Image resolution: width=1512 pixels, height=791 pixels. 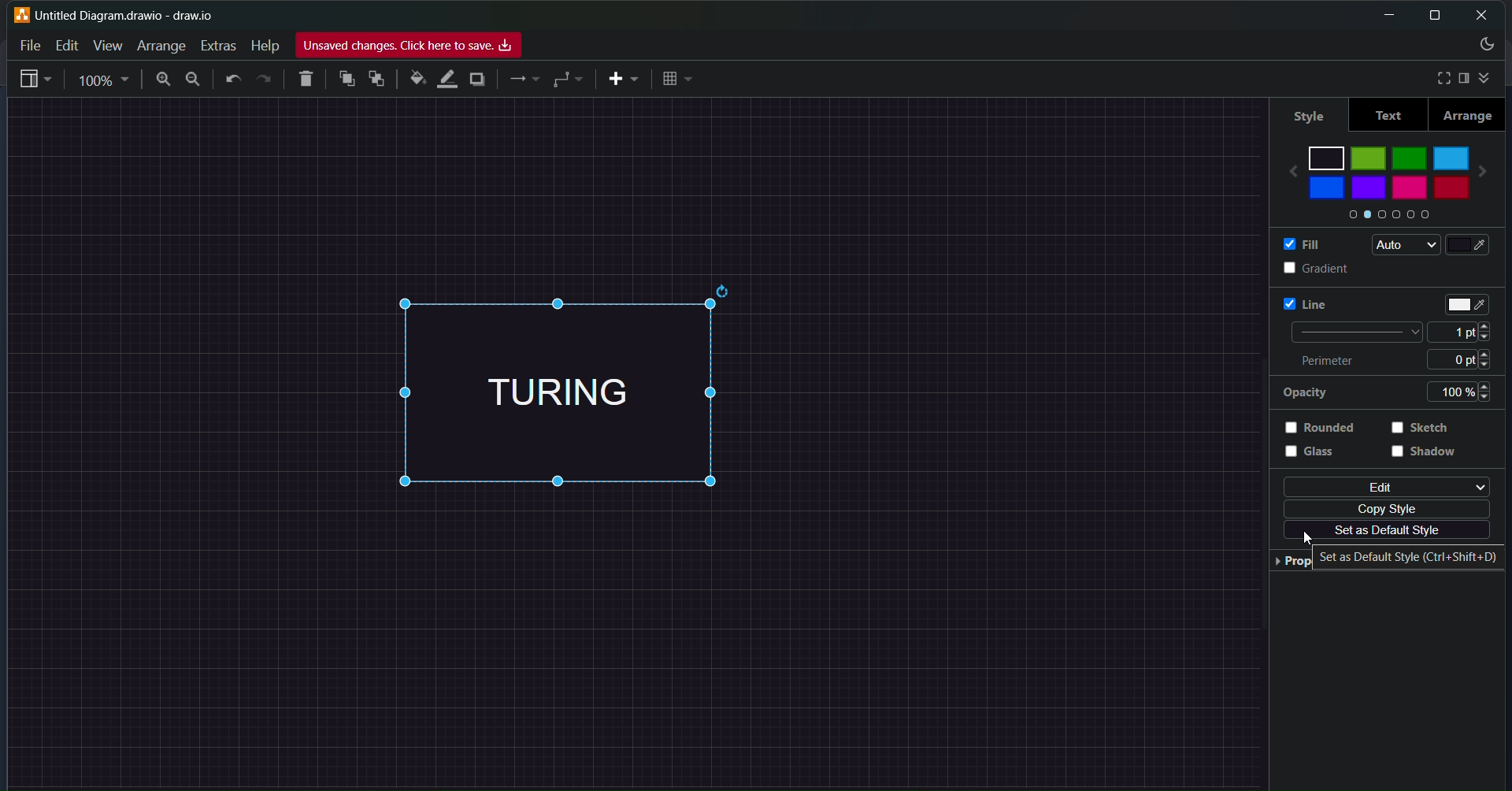 I want to click on text, so click(x=1388, y=115).